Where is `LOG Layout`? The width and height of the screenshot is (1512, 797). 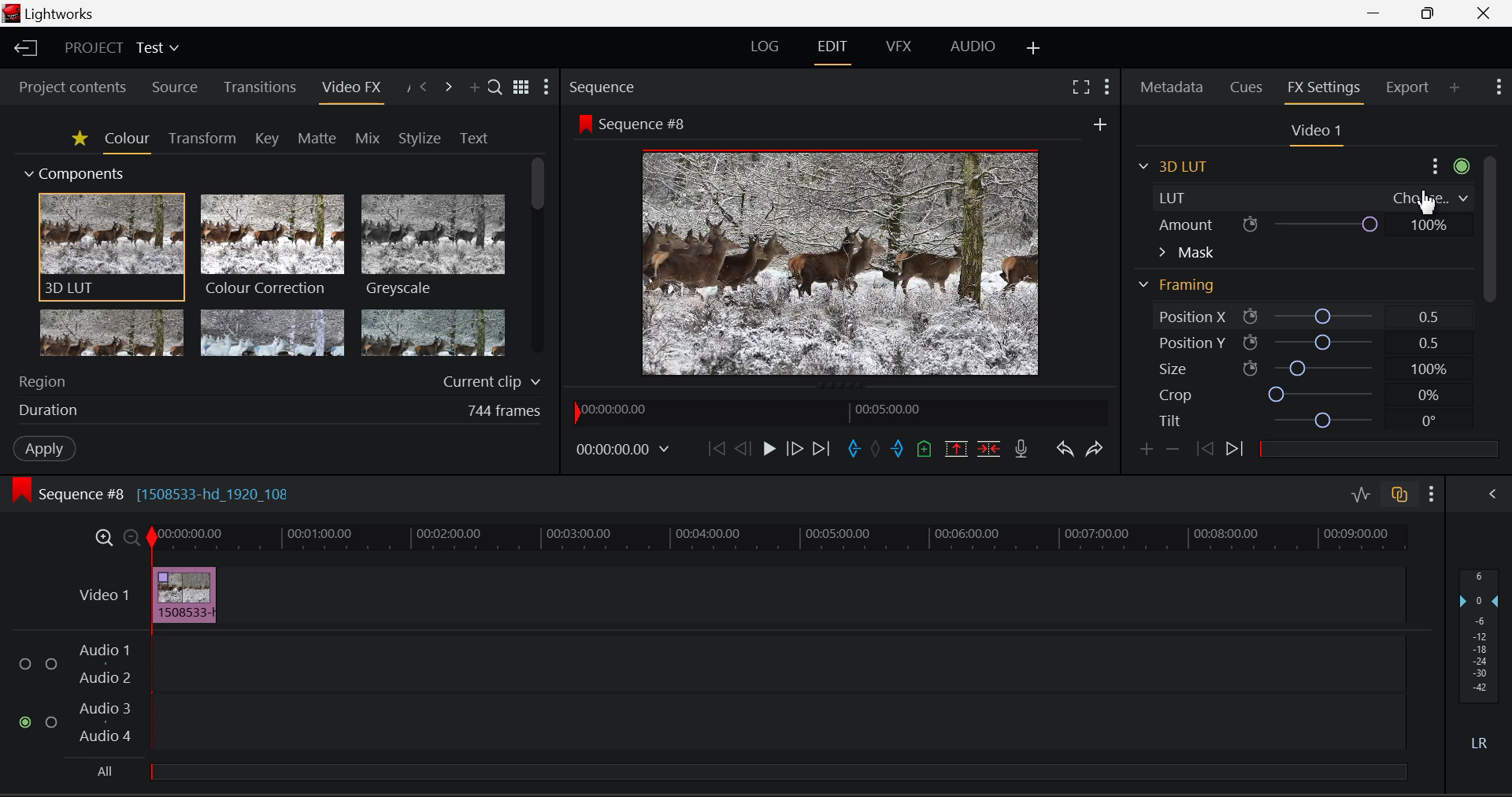 LOG Layout is located at coordinates (766, 51).